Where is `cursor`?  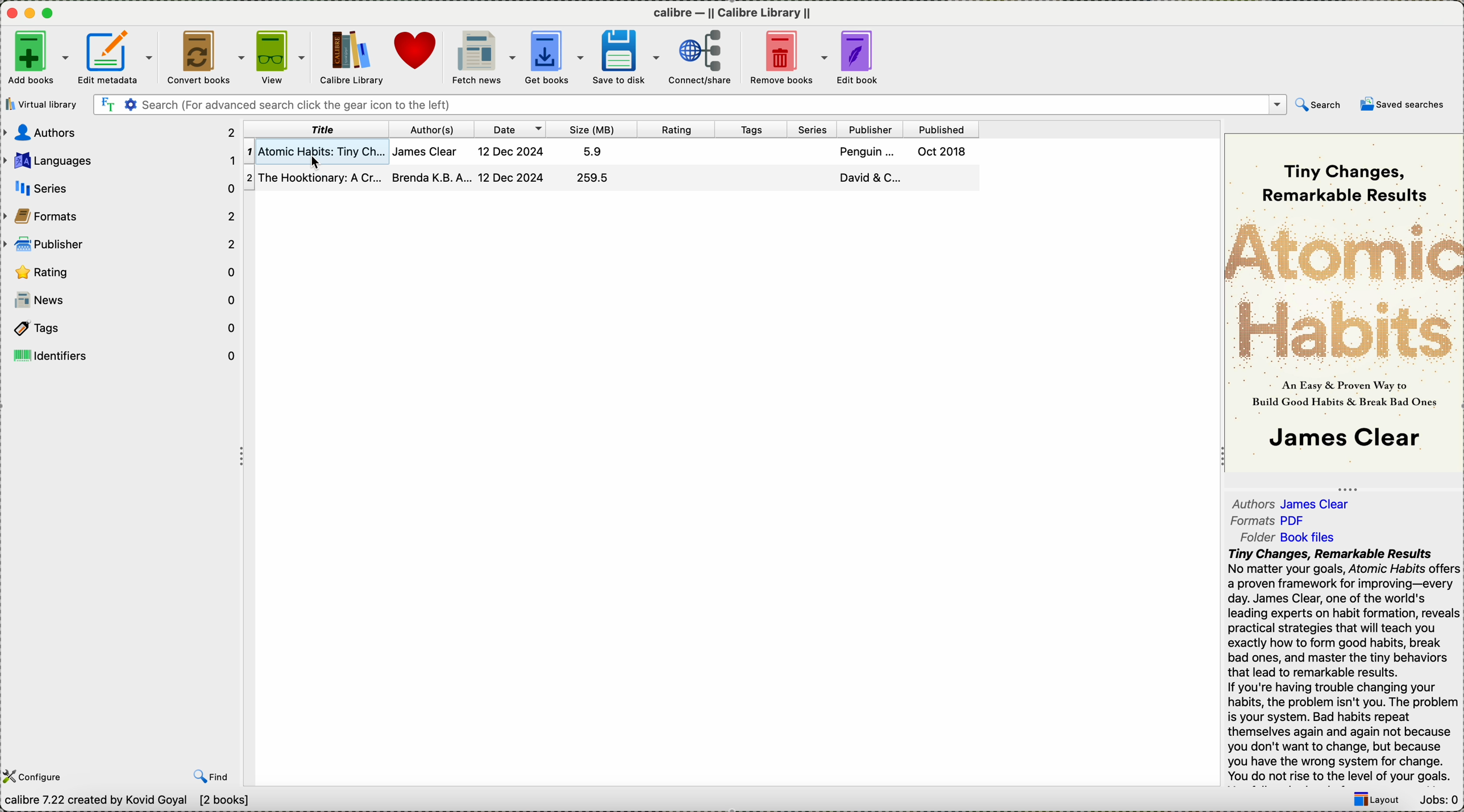 cursor is located at coordinates (310, 163).